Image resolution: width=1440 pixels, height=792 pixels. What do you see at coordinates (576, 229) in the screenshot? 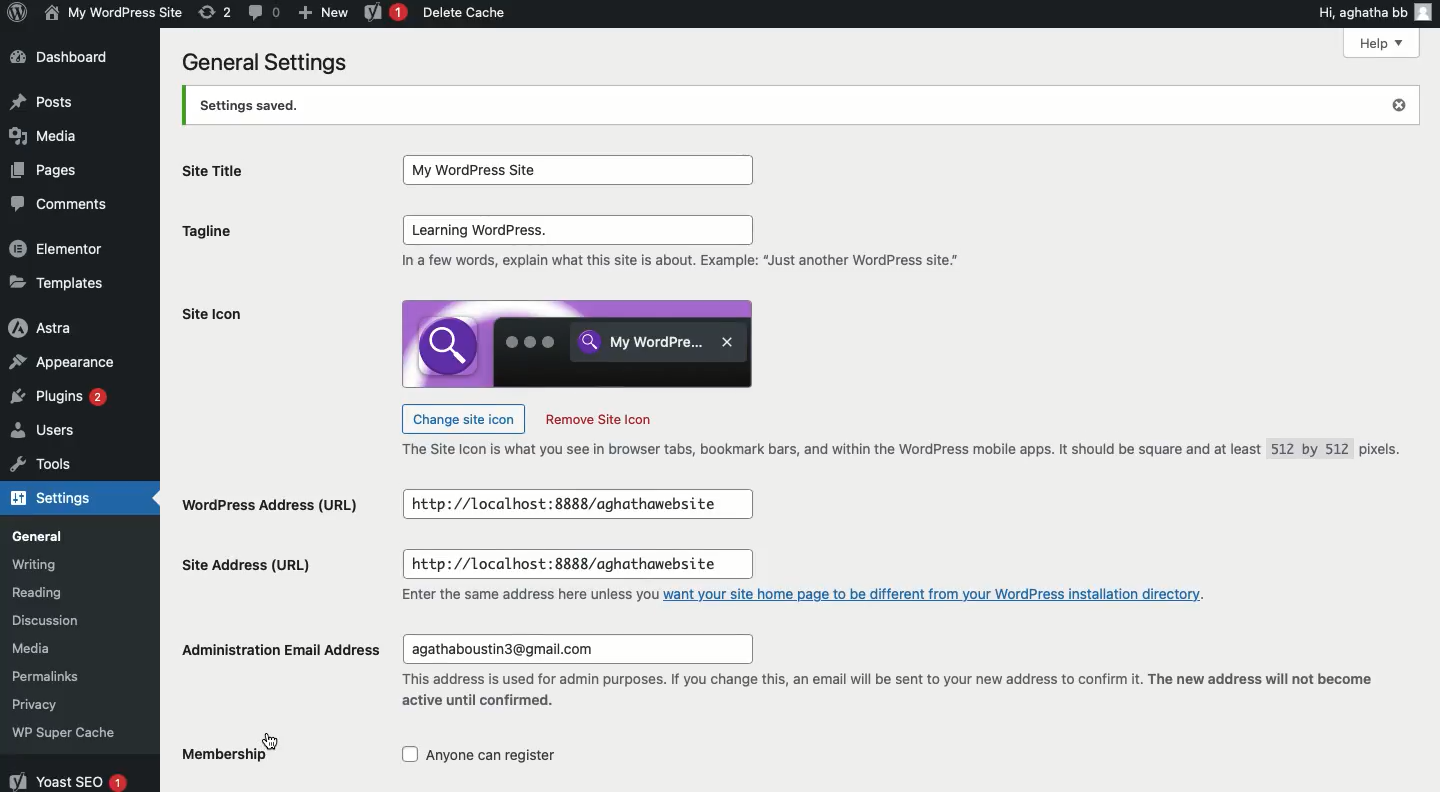
I see `Learning WordPress.` at bounding box center [576, 229].